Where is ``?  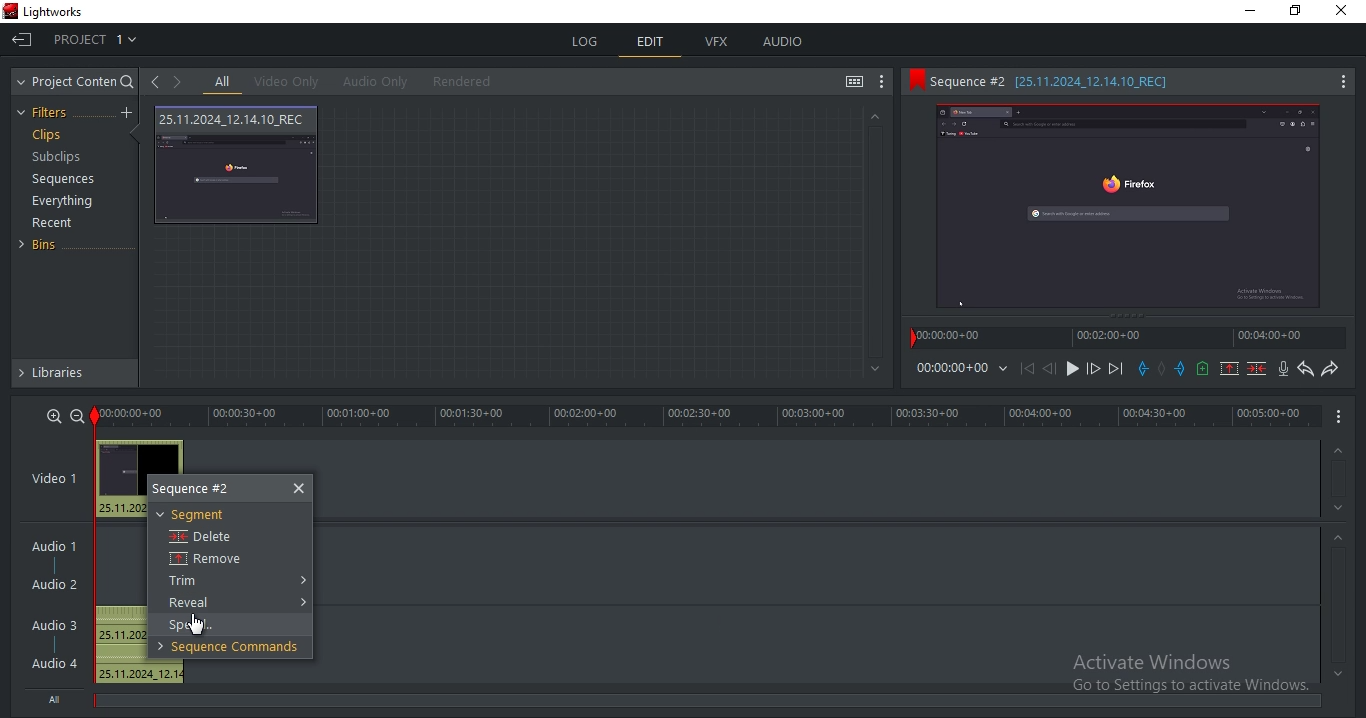
 is located at coordinates (178, 82).